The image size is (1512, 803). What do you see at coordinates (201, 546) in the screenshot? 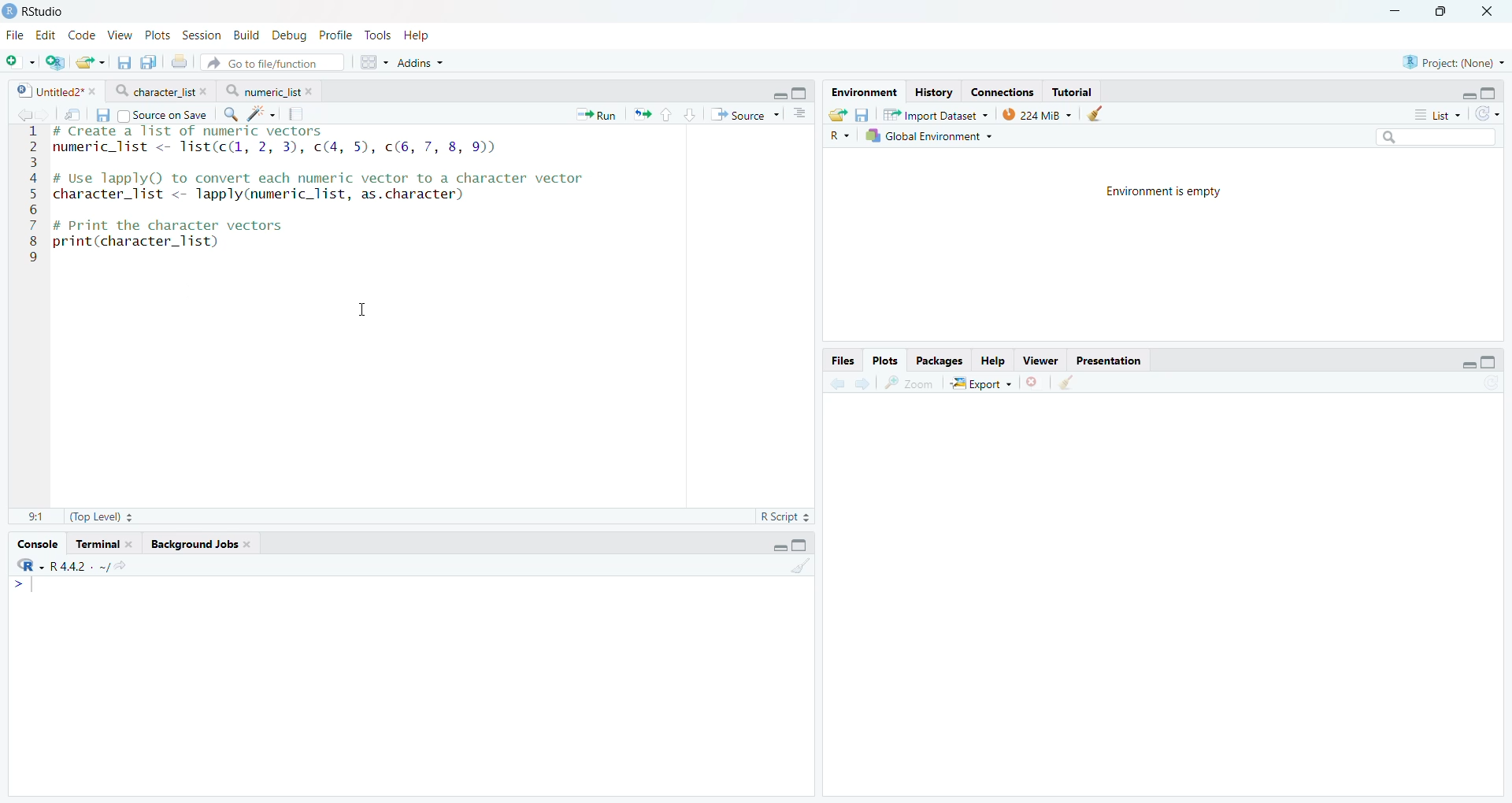
I see `Background Jobs` at bounding box center [201, 546].